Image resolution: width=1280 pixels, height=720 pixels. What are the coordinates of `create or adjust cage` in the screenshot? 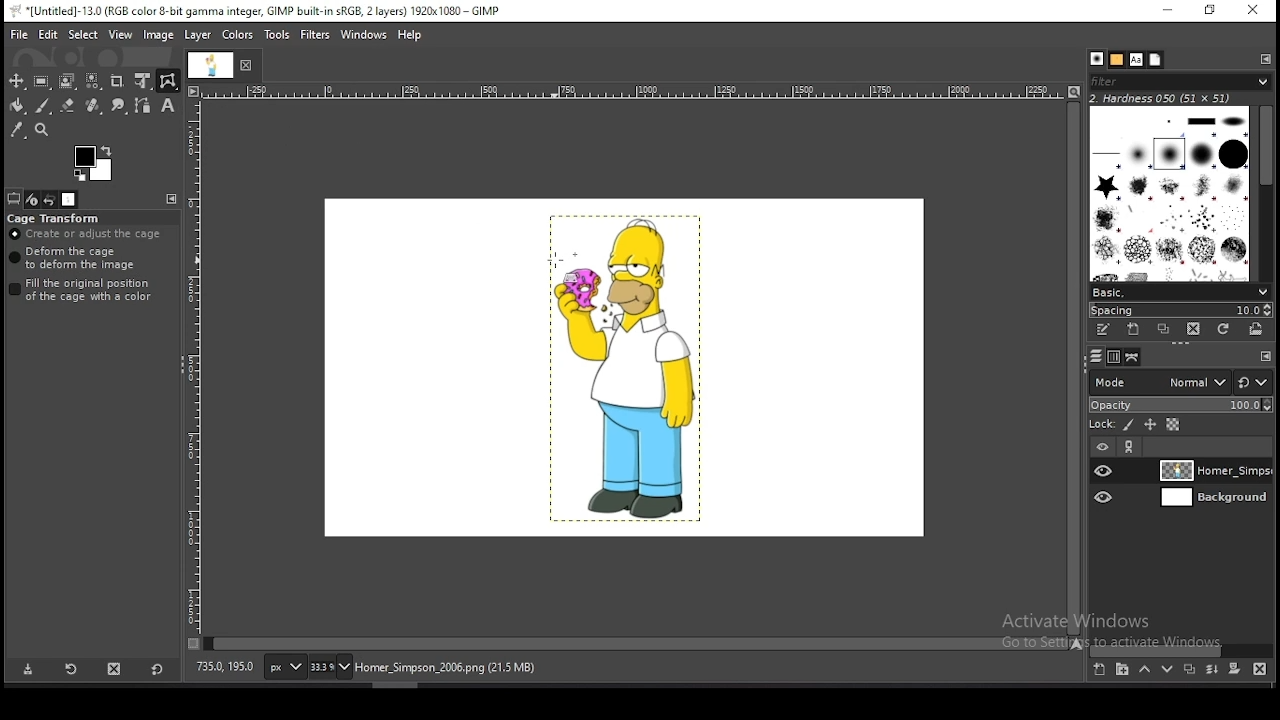 It's located at (87, 234).